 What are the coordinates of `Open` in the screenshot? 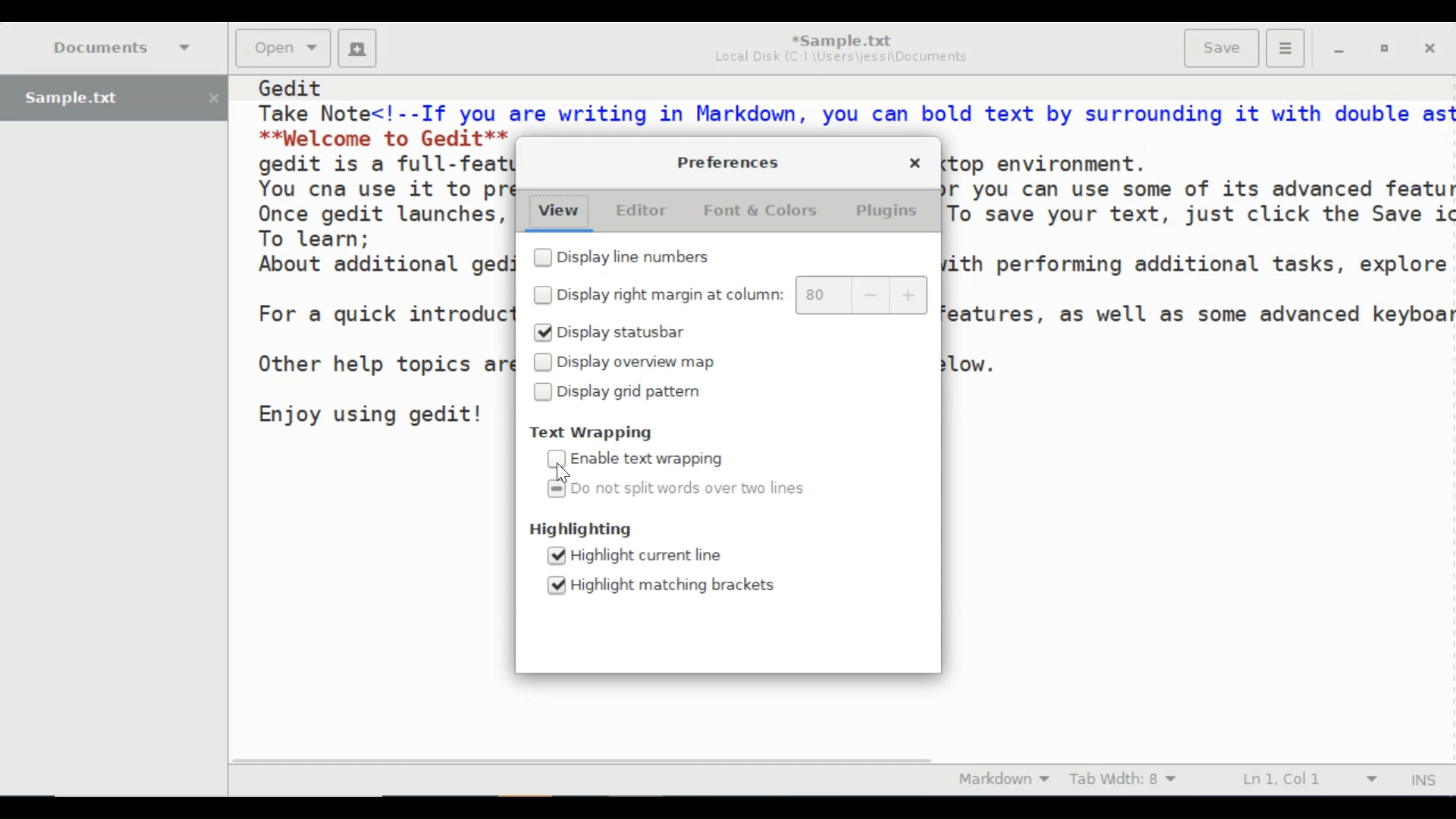 It's located at (284, 49).